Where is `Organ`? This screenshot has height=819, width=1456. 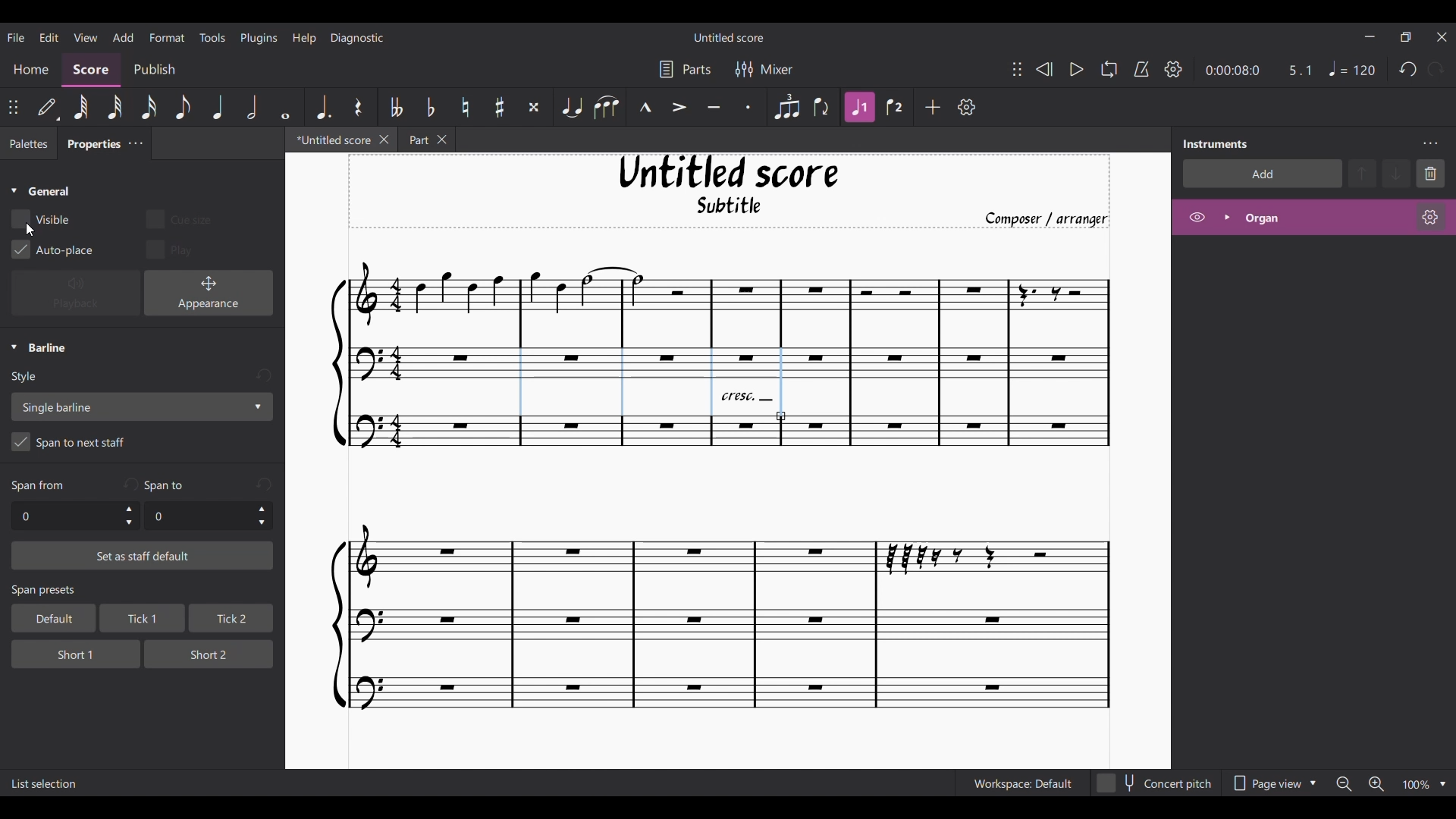 Organ is located at coordinates (1324, 218).